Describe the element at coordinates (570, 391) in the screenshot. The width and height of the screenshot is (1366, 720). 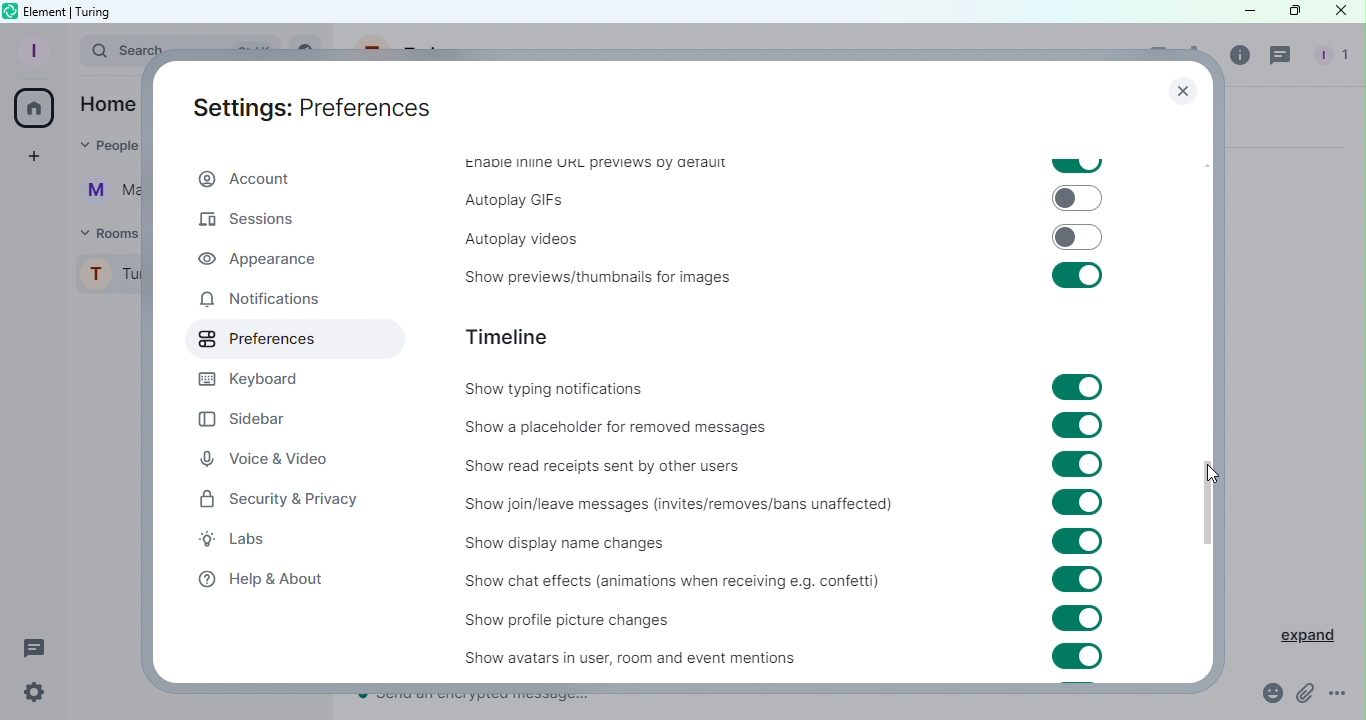
I see `Show typing notifications` at that location.